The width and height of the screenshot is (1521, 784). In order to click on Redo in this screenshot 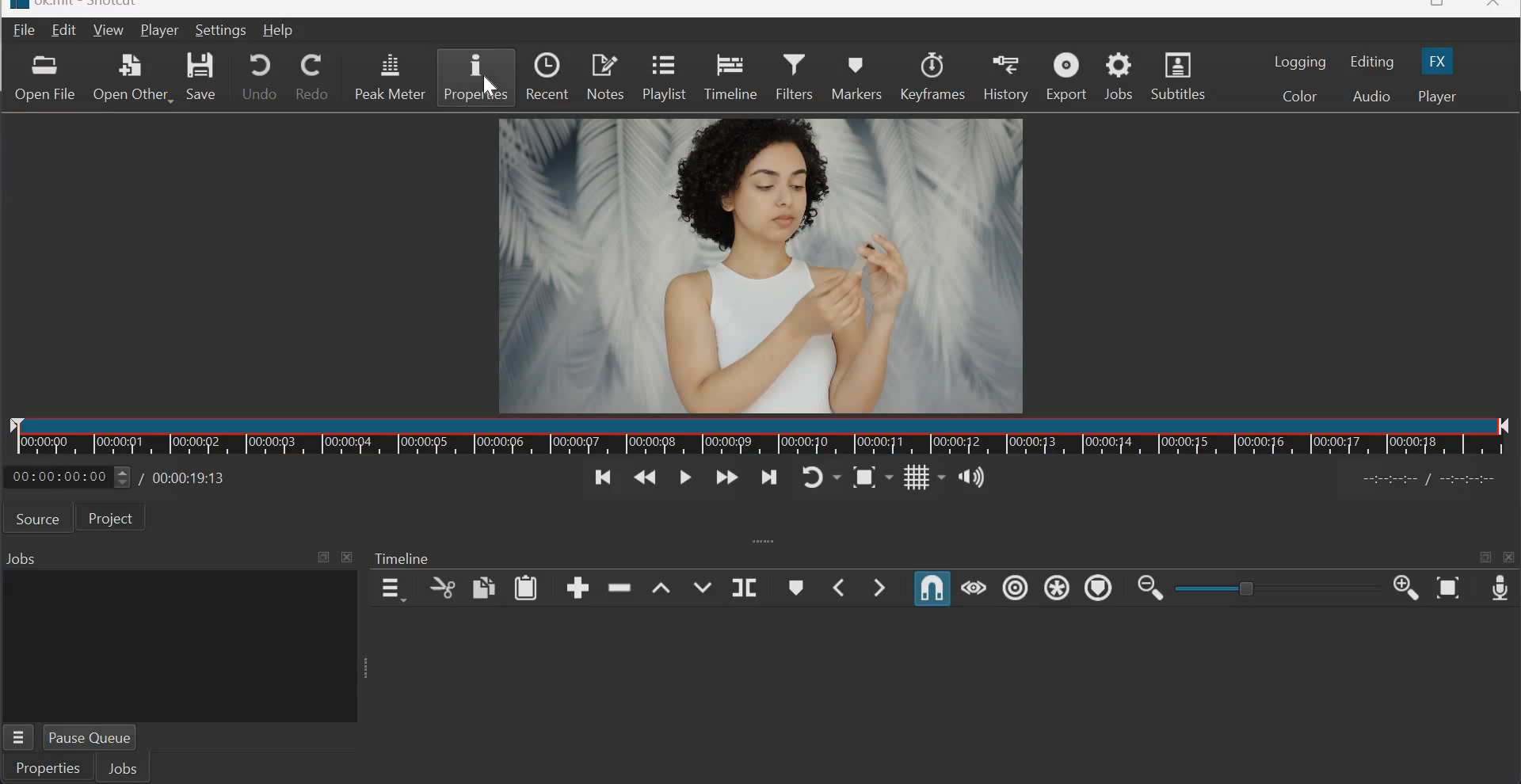, I will do `click(312, 77)`.